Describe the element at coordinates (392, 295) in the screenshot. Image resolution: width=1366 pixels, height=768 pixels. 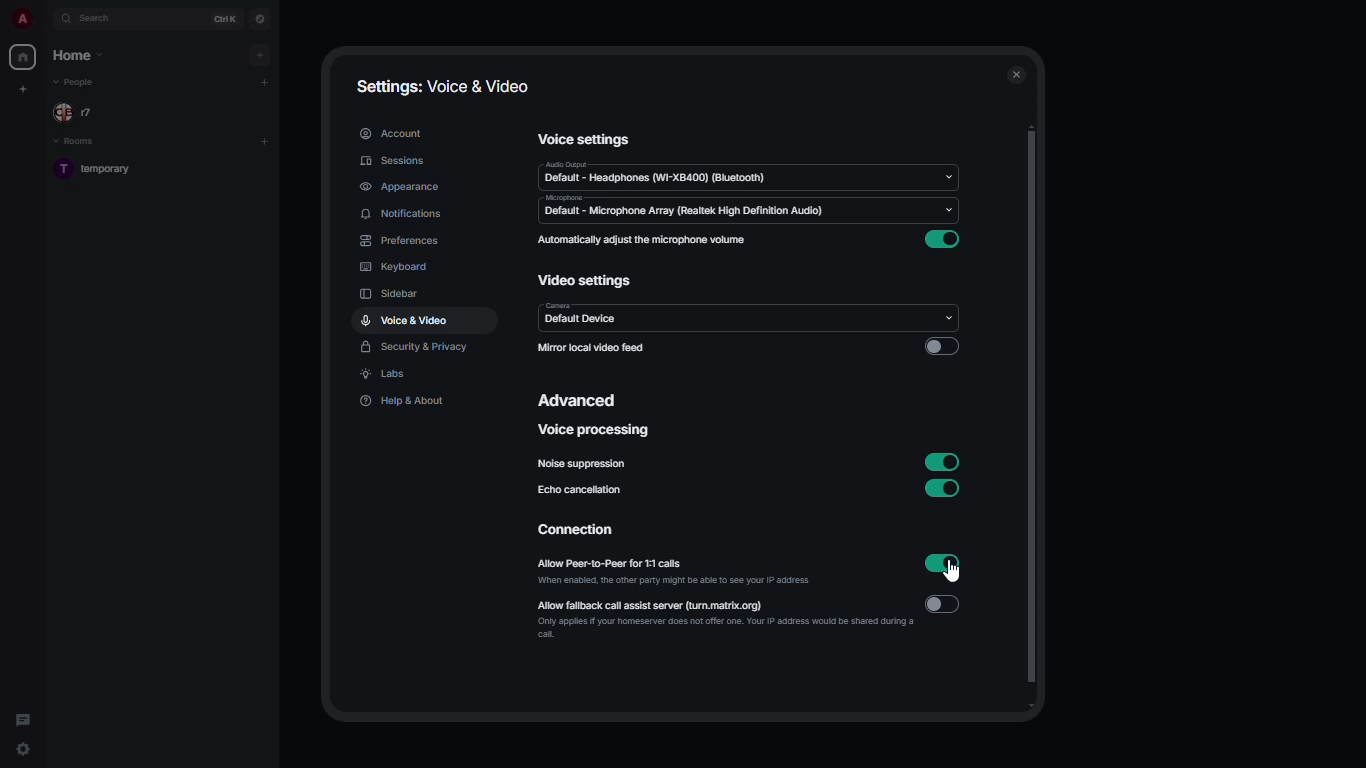
I see `sidebar` at that location.